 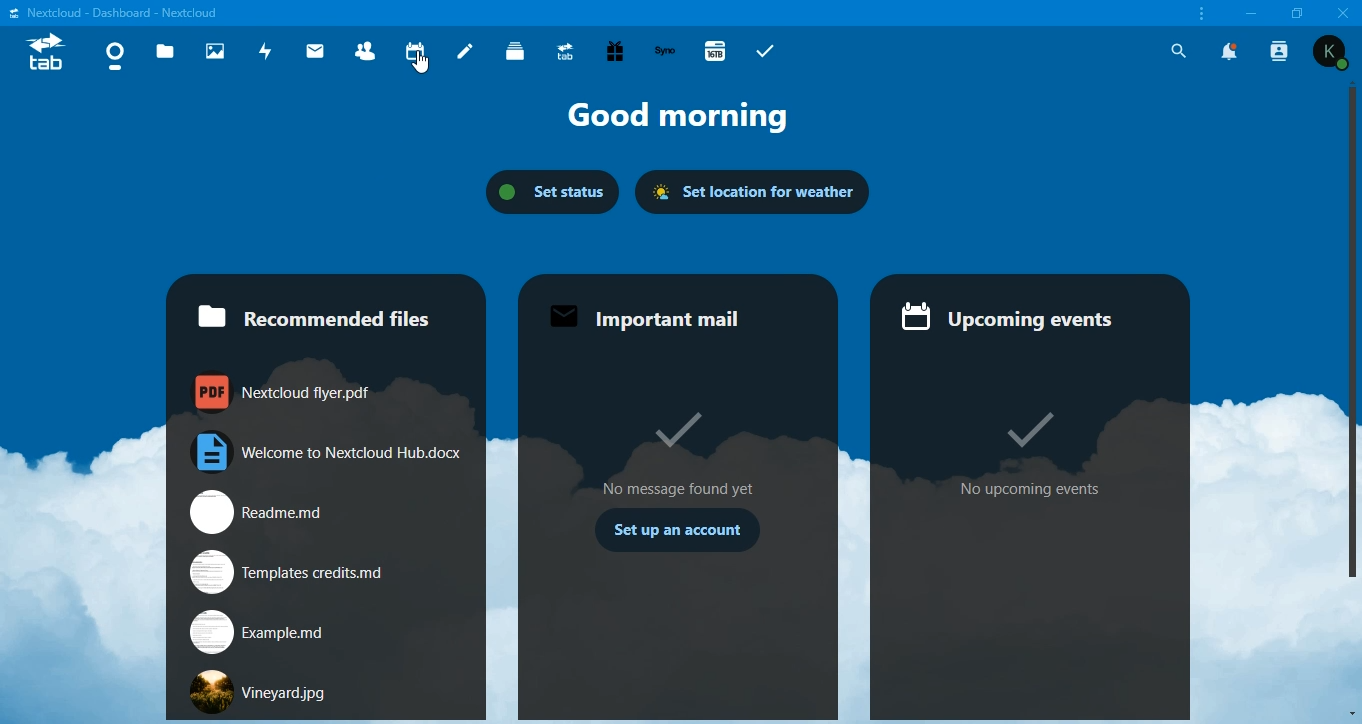 What do you see at coordinates (1032, 490) in the screenshot?
I see `No upcoming events` at bounding box center [1032, 490].